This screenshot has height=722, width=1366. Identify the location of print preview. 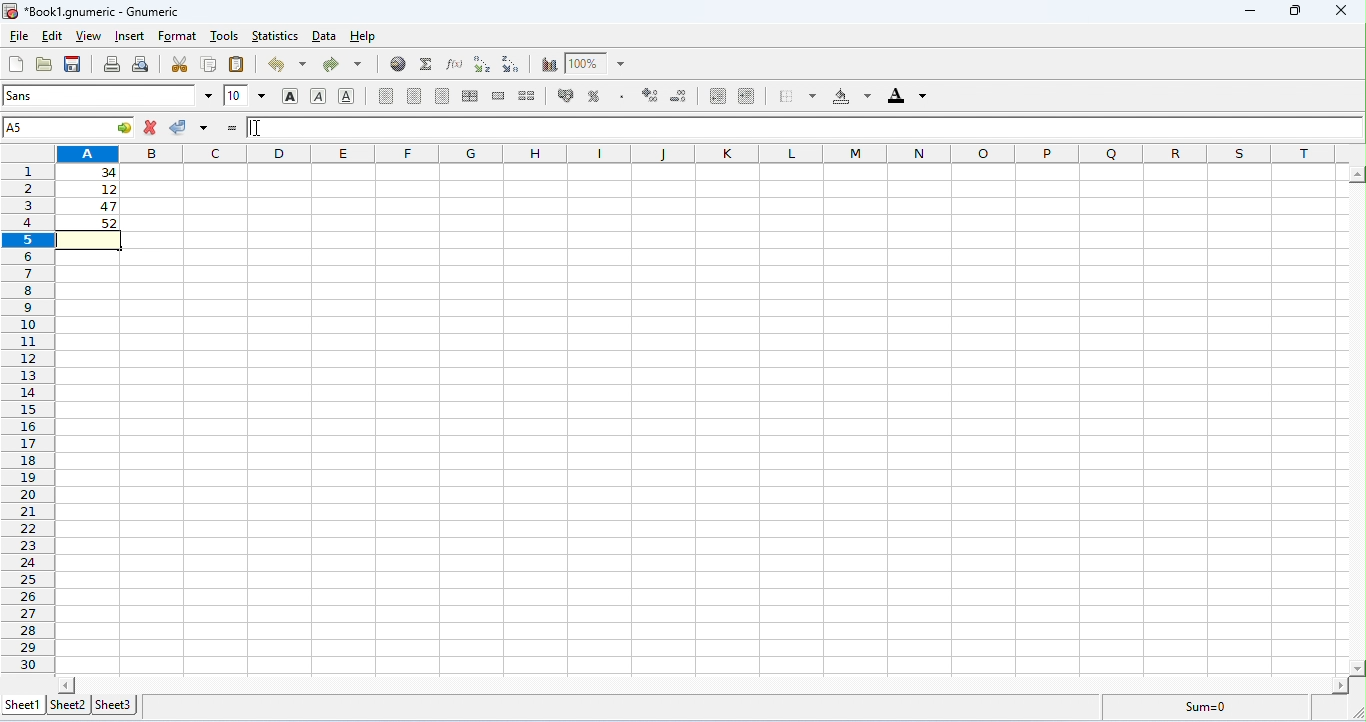
(142, 64).